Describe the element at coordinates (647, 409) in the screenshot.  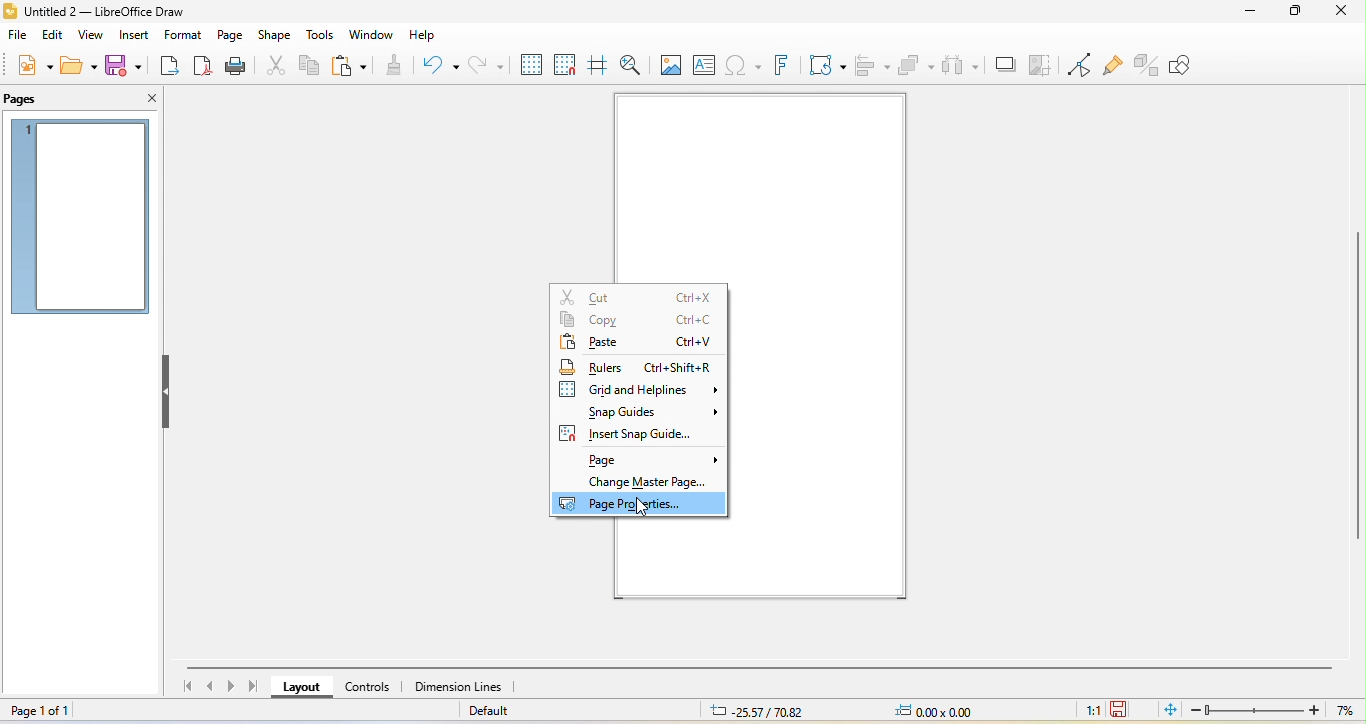
I see `snap guides` at that location.